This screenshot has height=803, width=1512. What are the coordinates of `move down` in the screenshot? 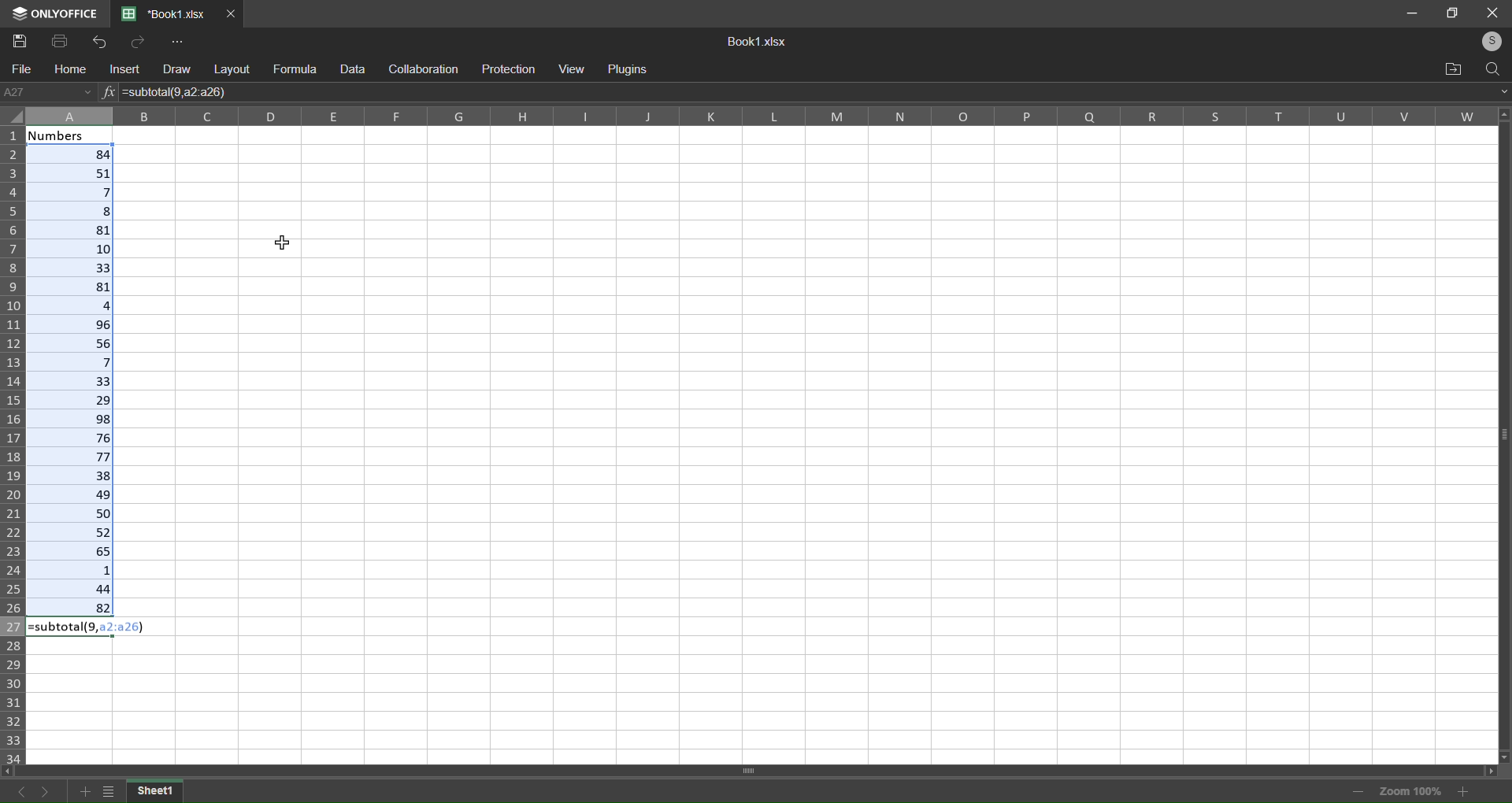 It's located at (1502, 755).